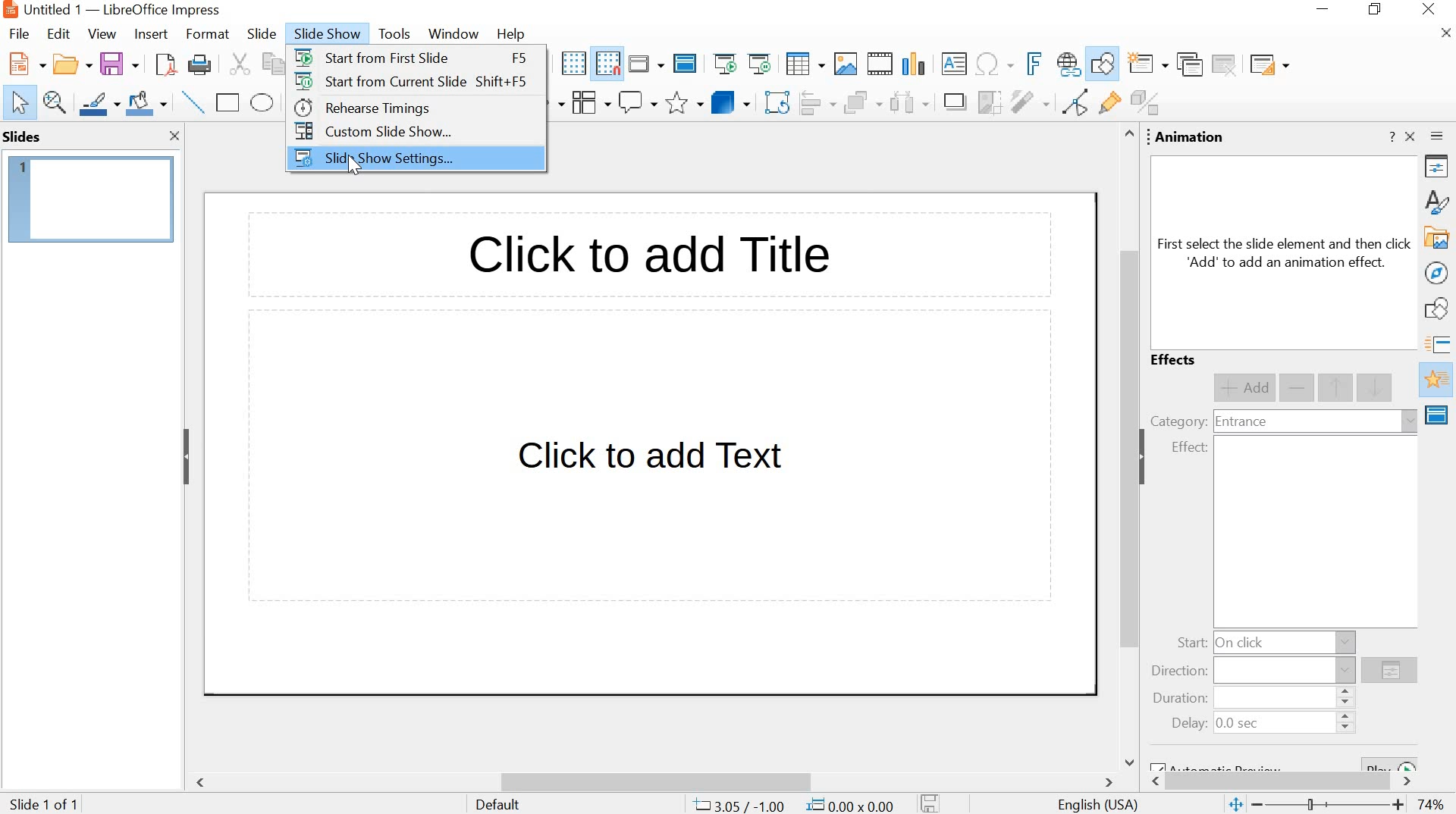 The width and height of the screenshot is (1456, 814). Describe the element at coordinates (1072, 105) in the screenshot. I see `toggle point edit mode` at that location.